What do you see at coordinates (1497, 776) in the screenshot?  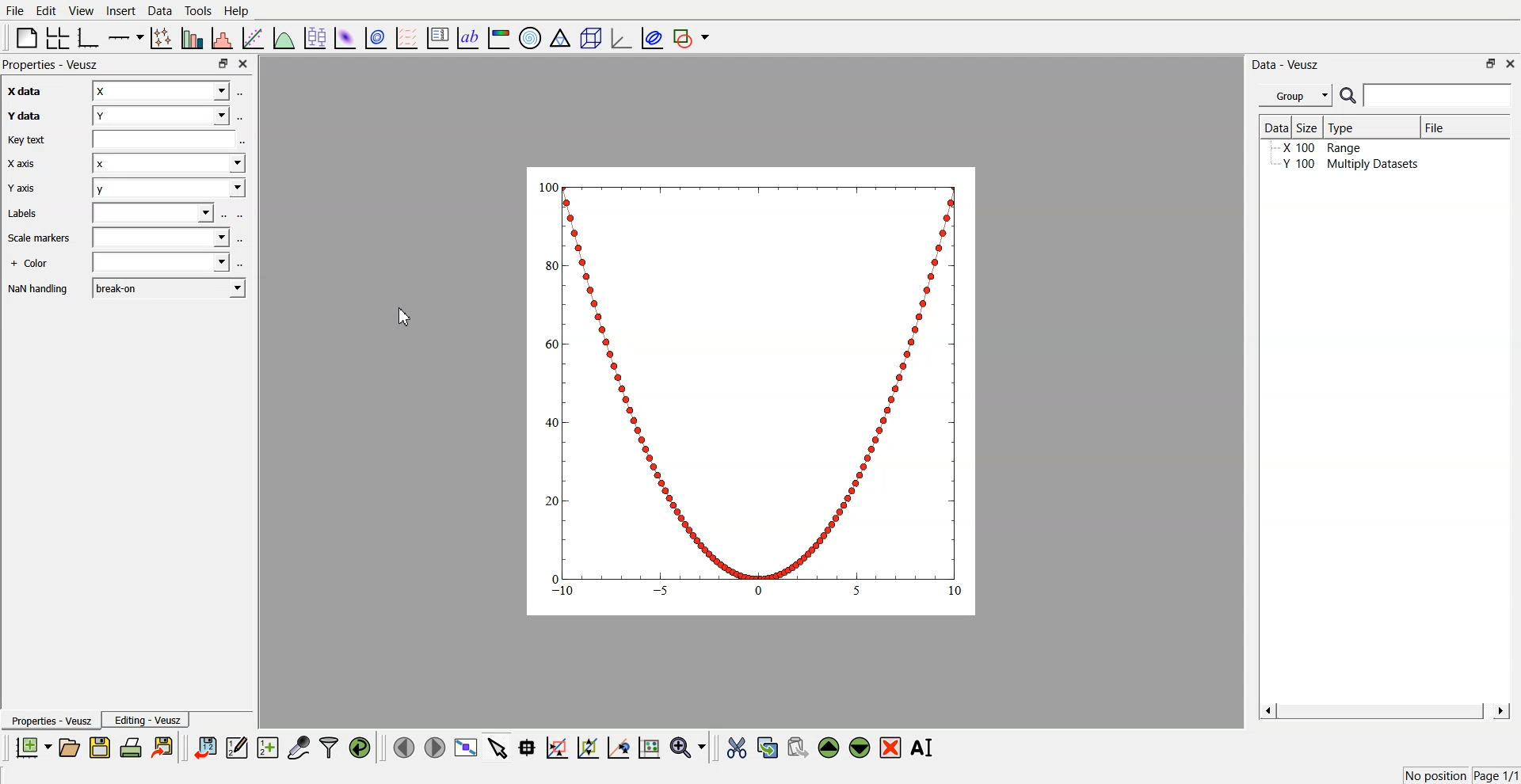 I see `Page 1/1` at bounding box center [1497, 776].